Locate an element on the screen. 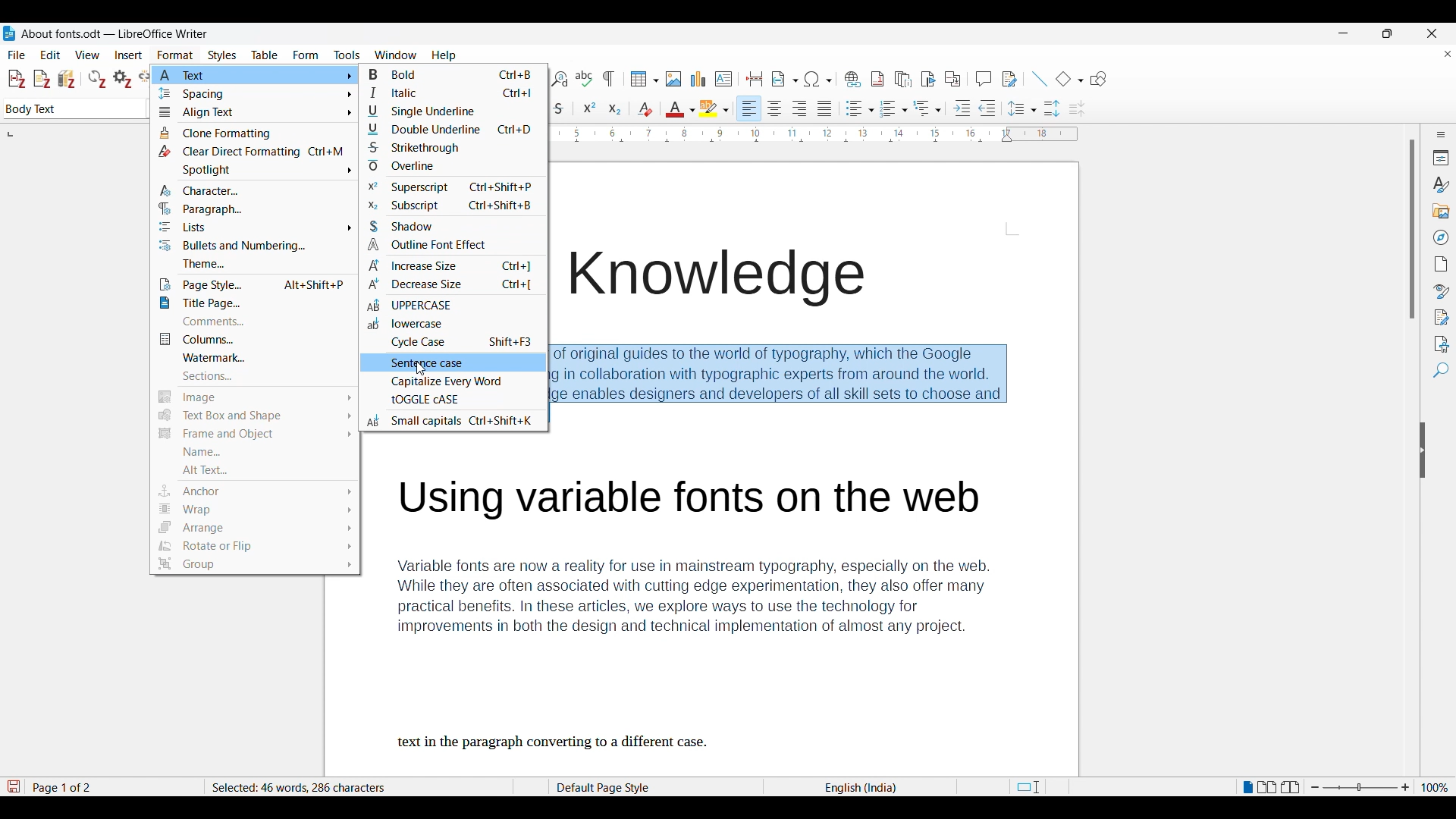 Image resolution: width=1456 pixels, height=819 pixels. Page Style is located at coordinates (253, 284).